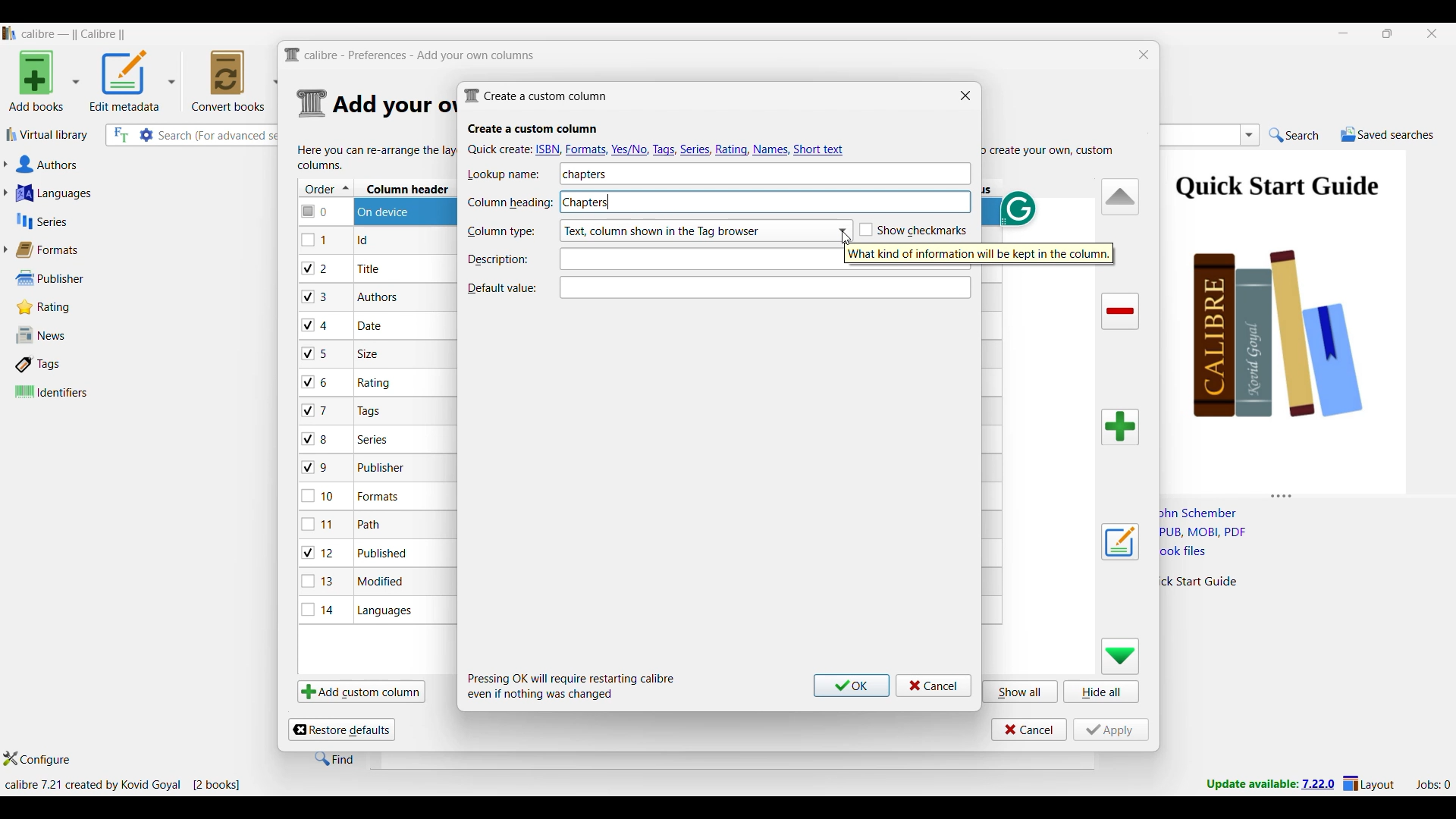  Describe the element at coordinates (572, 686) in the screenshot. I see `Description of steps following saving inputs made` at that location.